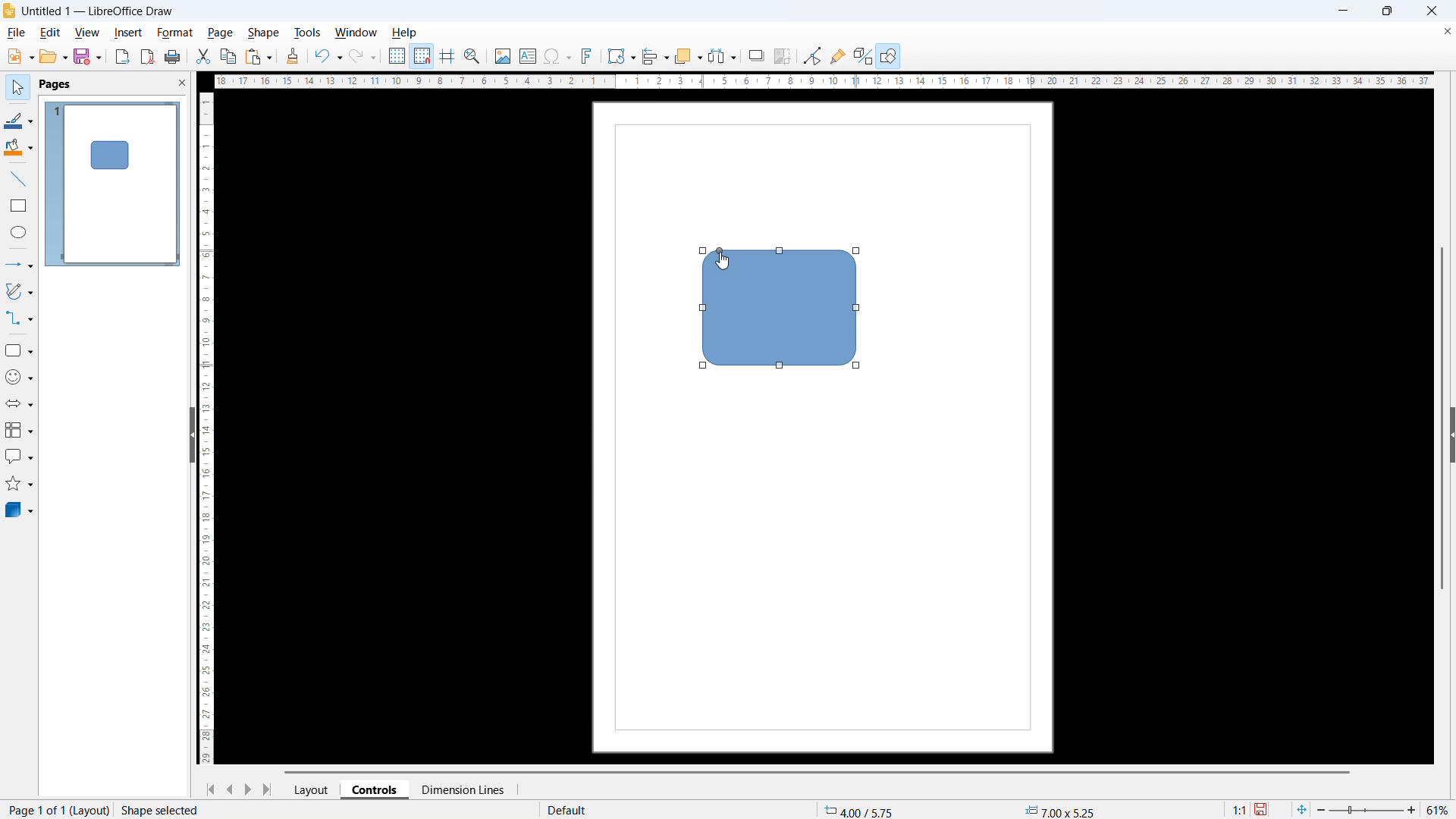 The image size is (1456, 819). Describe the element at coordinates (1439, 810) in the screenshot. I see `61%` at that location.